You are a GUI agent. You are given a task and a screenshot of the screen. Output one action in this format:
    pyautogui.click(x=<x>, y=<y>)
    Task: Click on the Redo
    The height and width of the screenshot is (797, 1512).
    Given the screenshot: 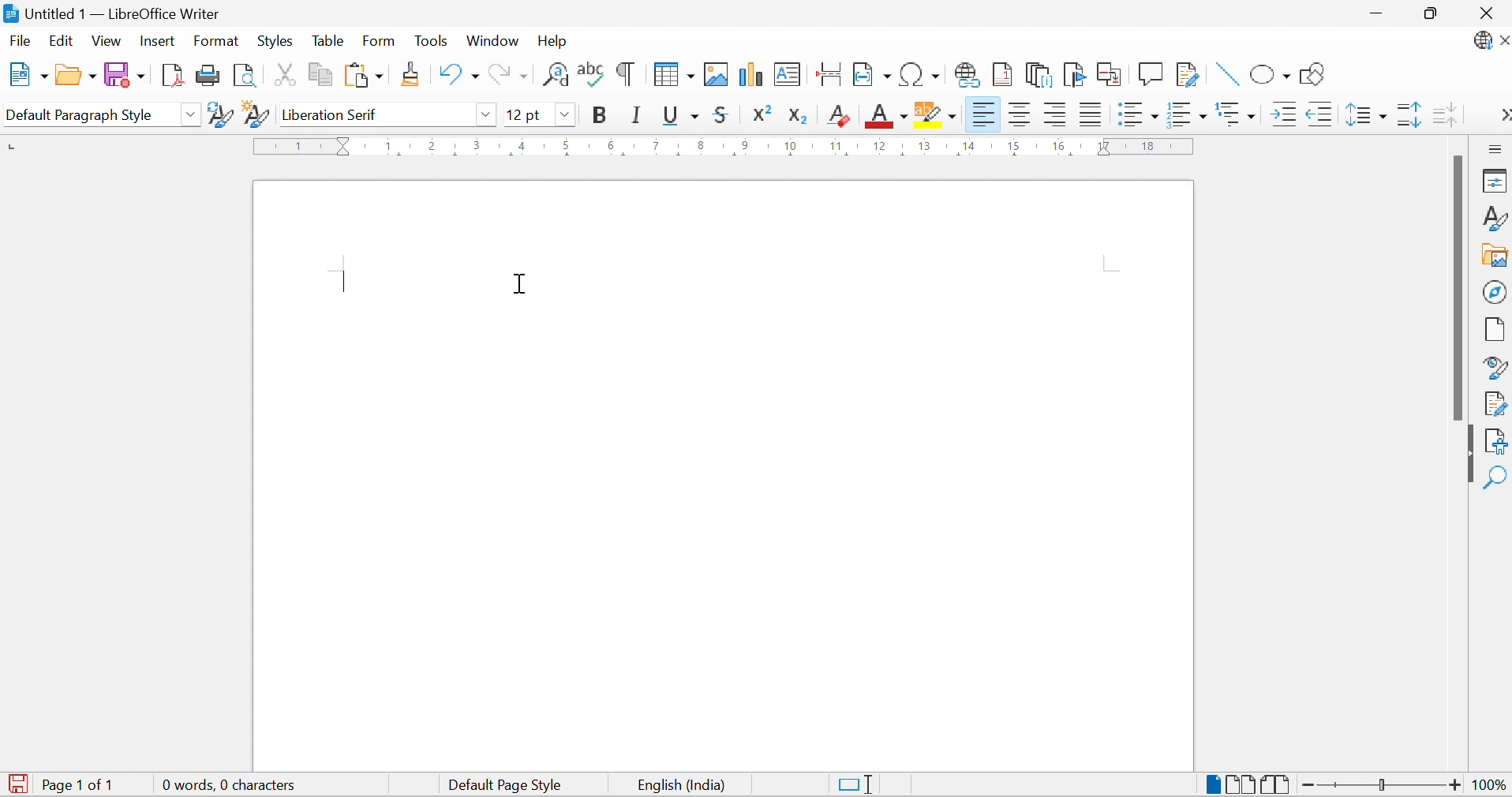 What is the action you would take?
    pyautogui.click(x=507, y=73)
    